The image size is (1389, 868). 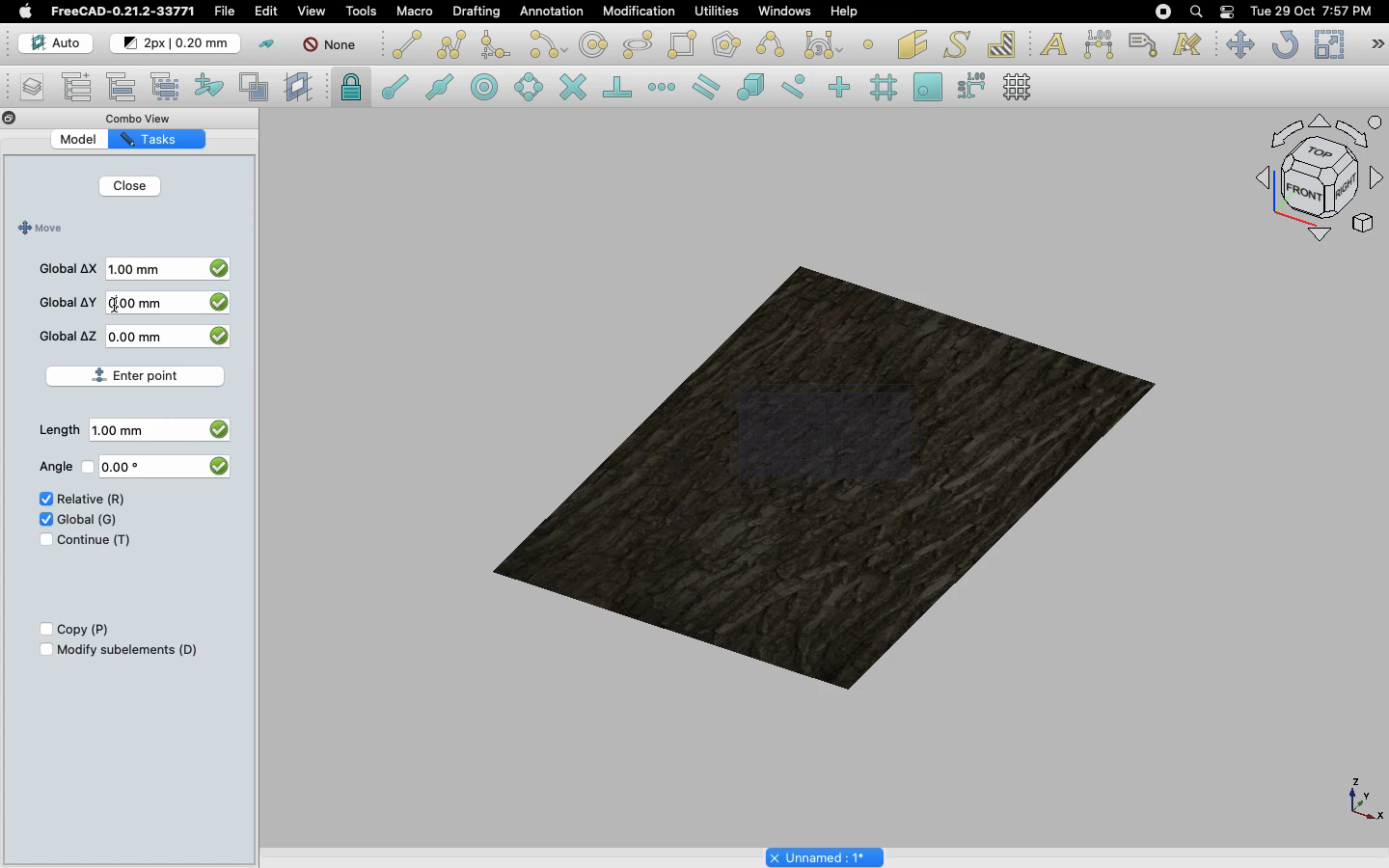 I want to click on Point, so click(x=868, y=42).